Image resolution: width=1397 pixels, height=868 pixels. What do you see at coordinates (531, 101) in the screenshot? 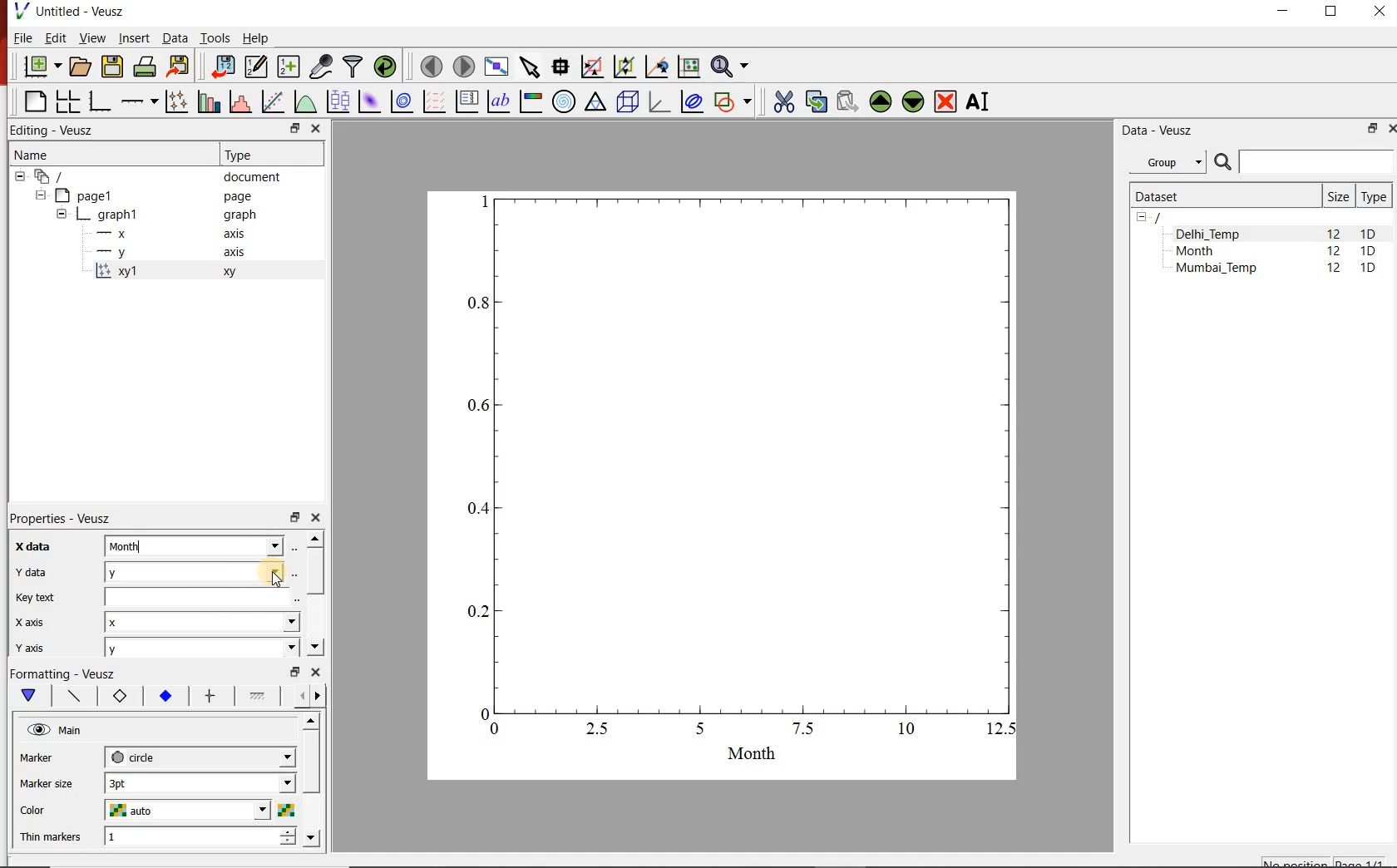
I see `image color bar` at bounding box center [531, 101].